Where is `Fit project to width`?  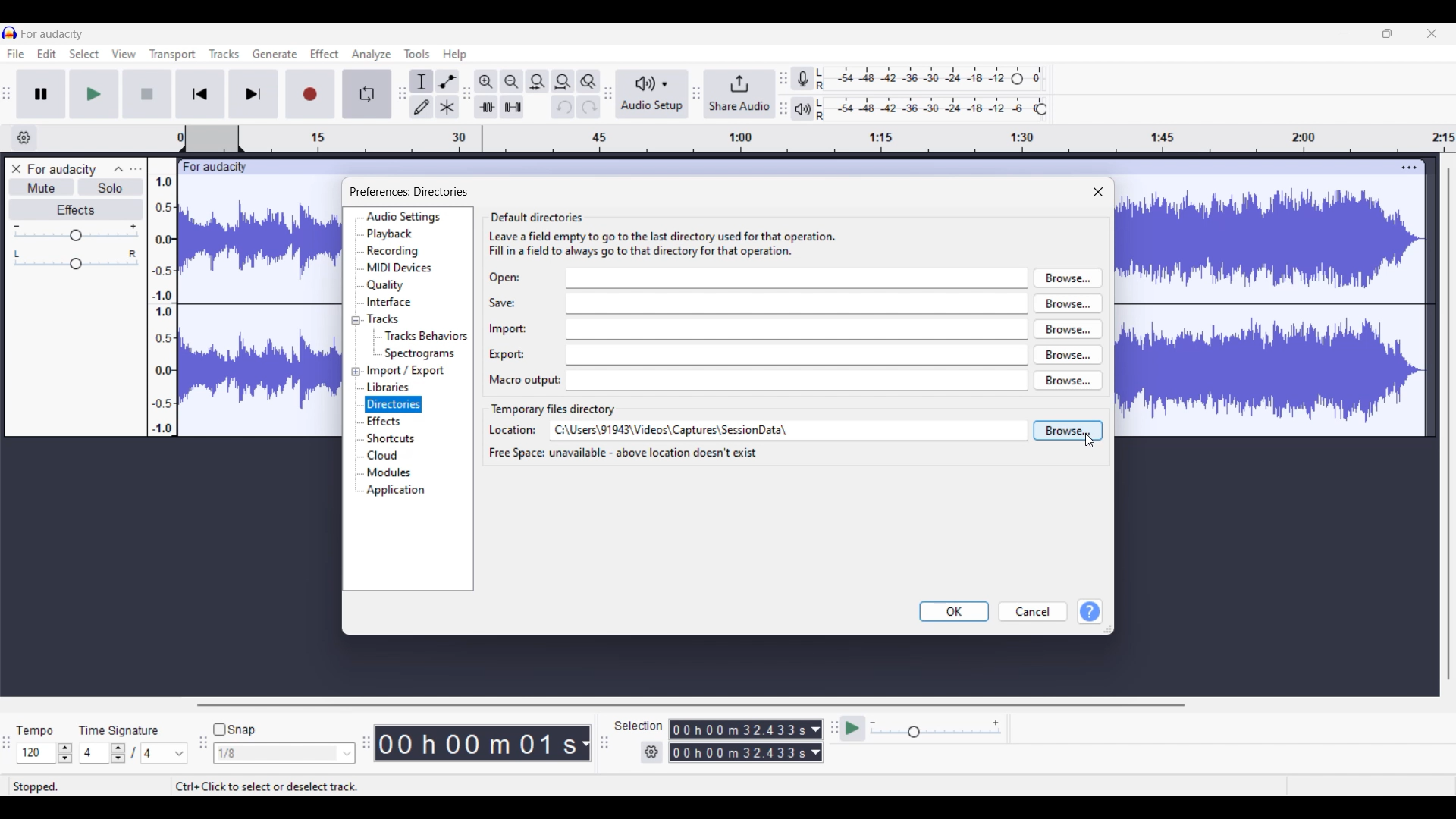 Fit project to width is located at coordinates (563, 82).